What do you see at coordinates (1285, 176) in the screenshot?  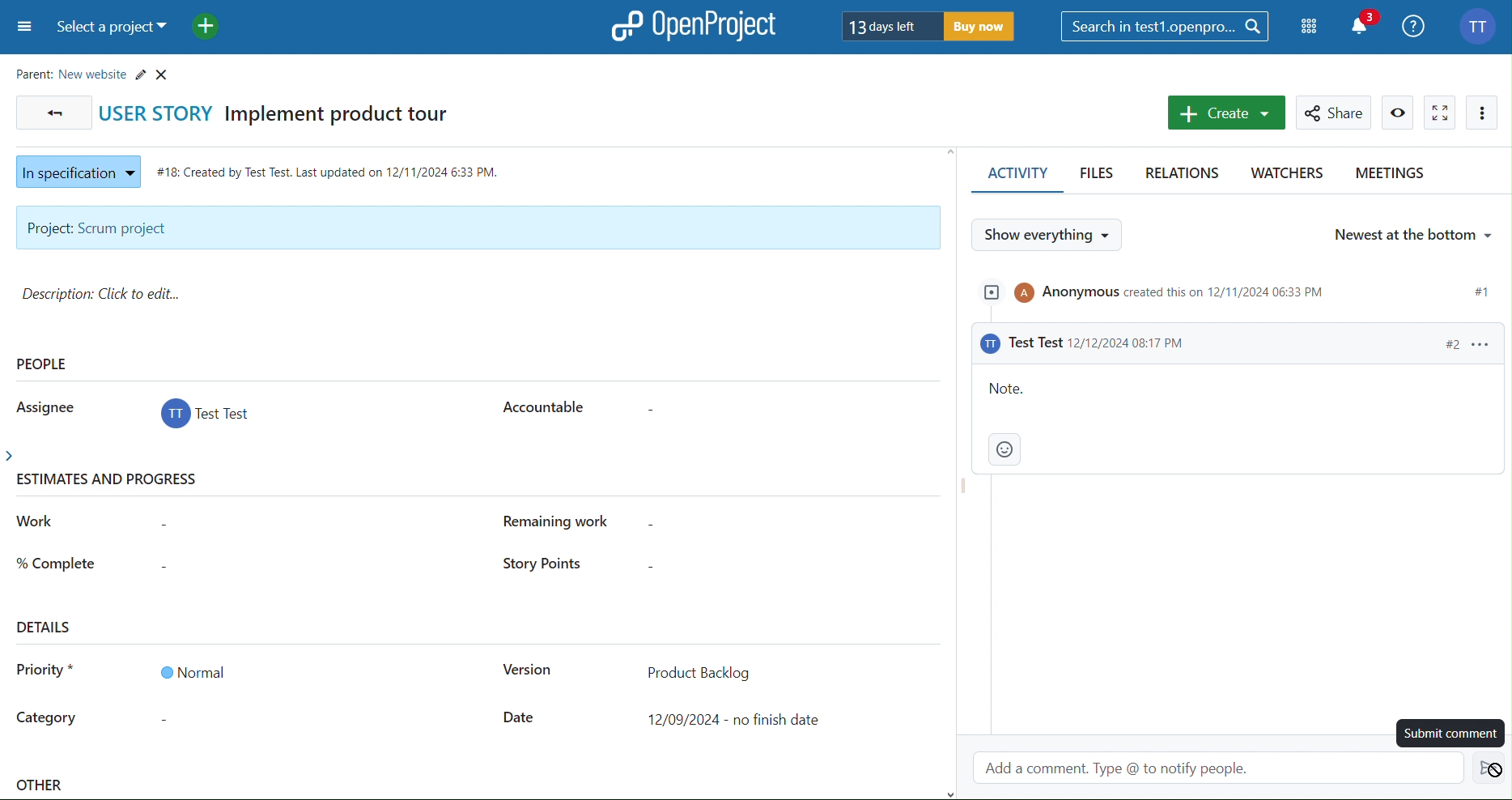 I see `Watchers` at bounding box center [1285, 176].